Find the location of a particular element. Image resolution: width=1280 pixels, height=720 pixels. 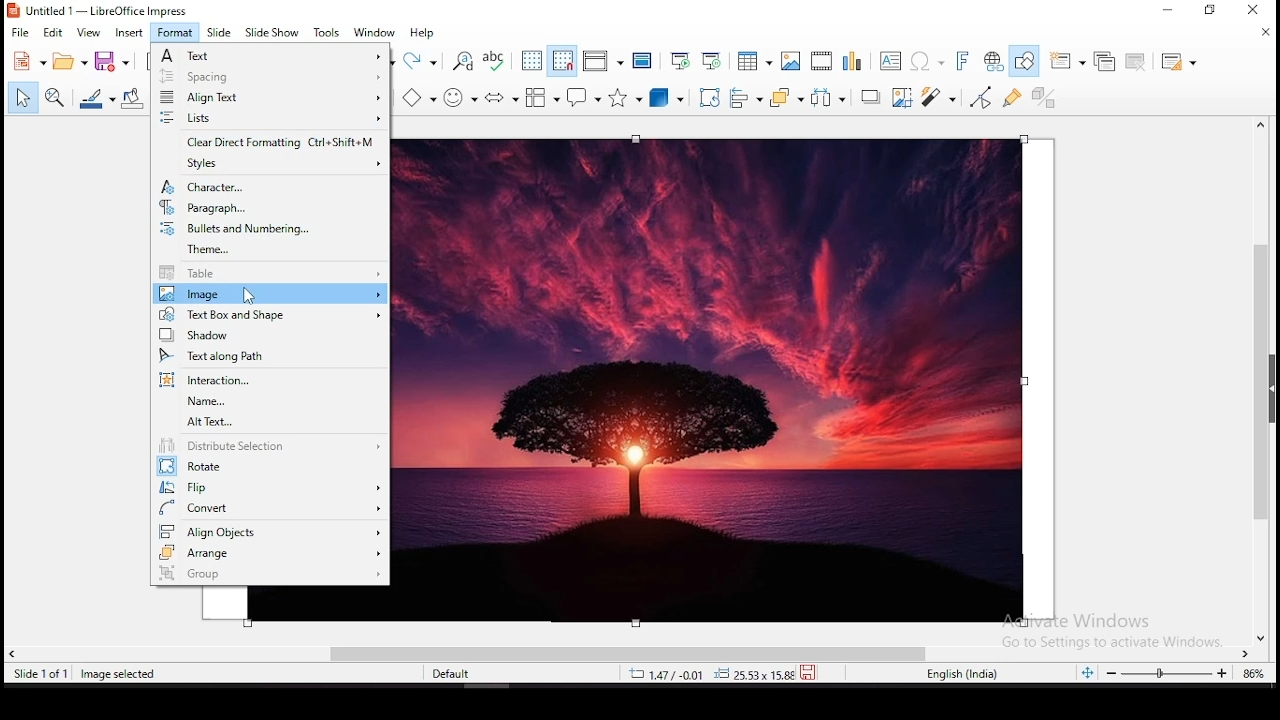

new slide is located at coordinates (1068, 60).